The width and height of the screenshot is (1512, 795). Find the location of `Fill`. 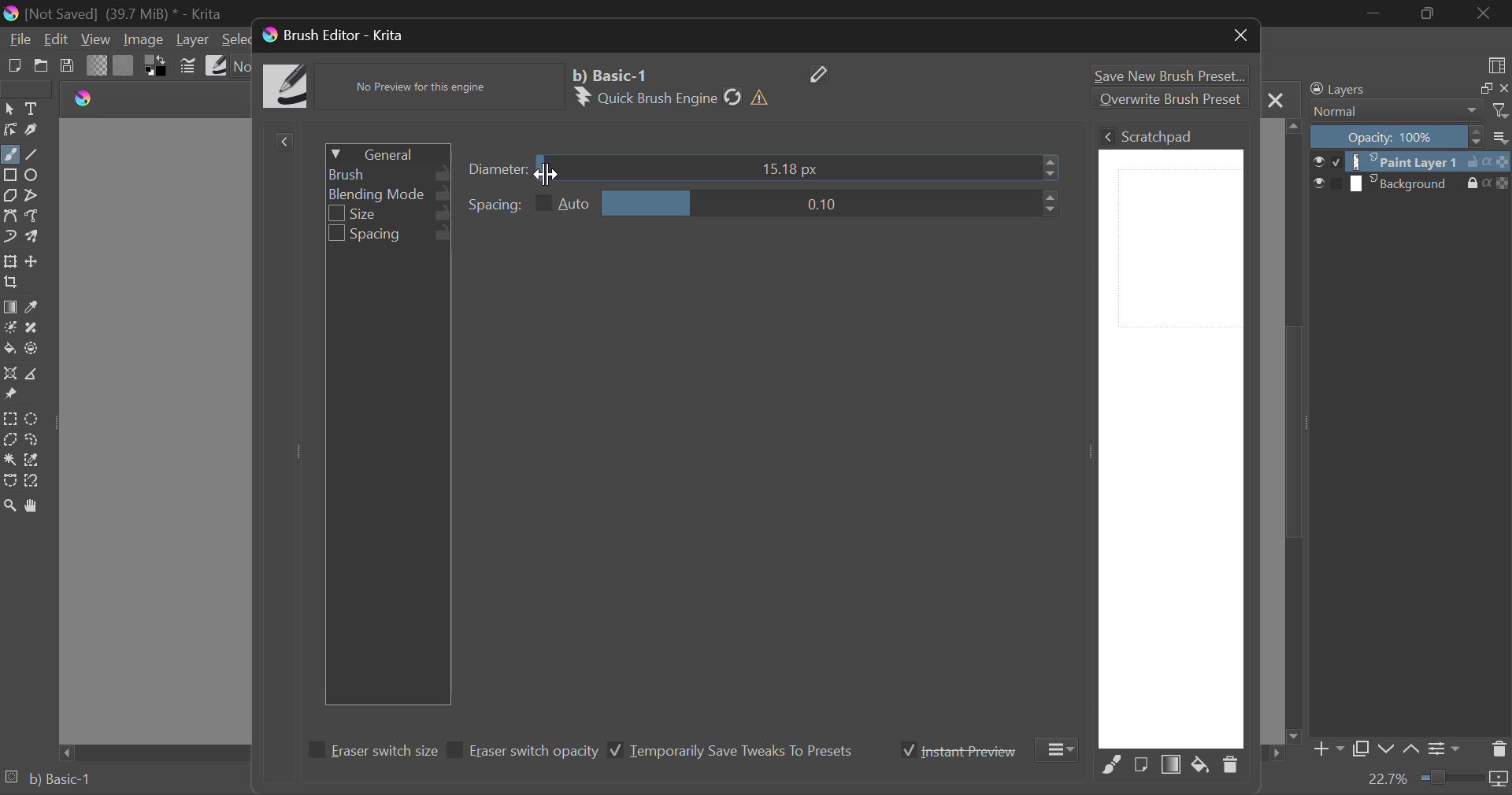

Fill is located at coordinates (10, 350).